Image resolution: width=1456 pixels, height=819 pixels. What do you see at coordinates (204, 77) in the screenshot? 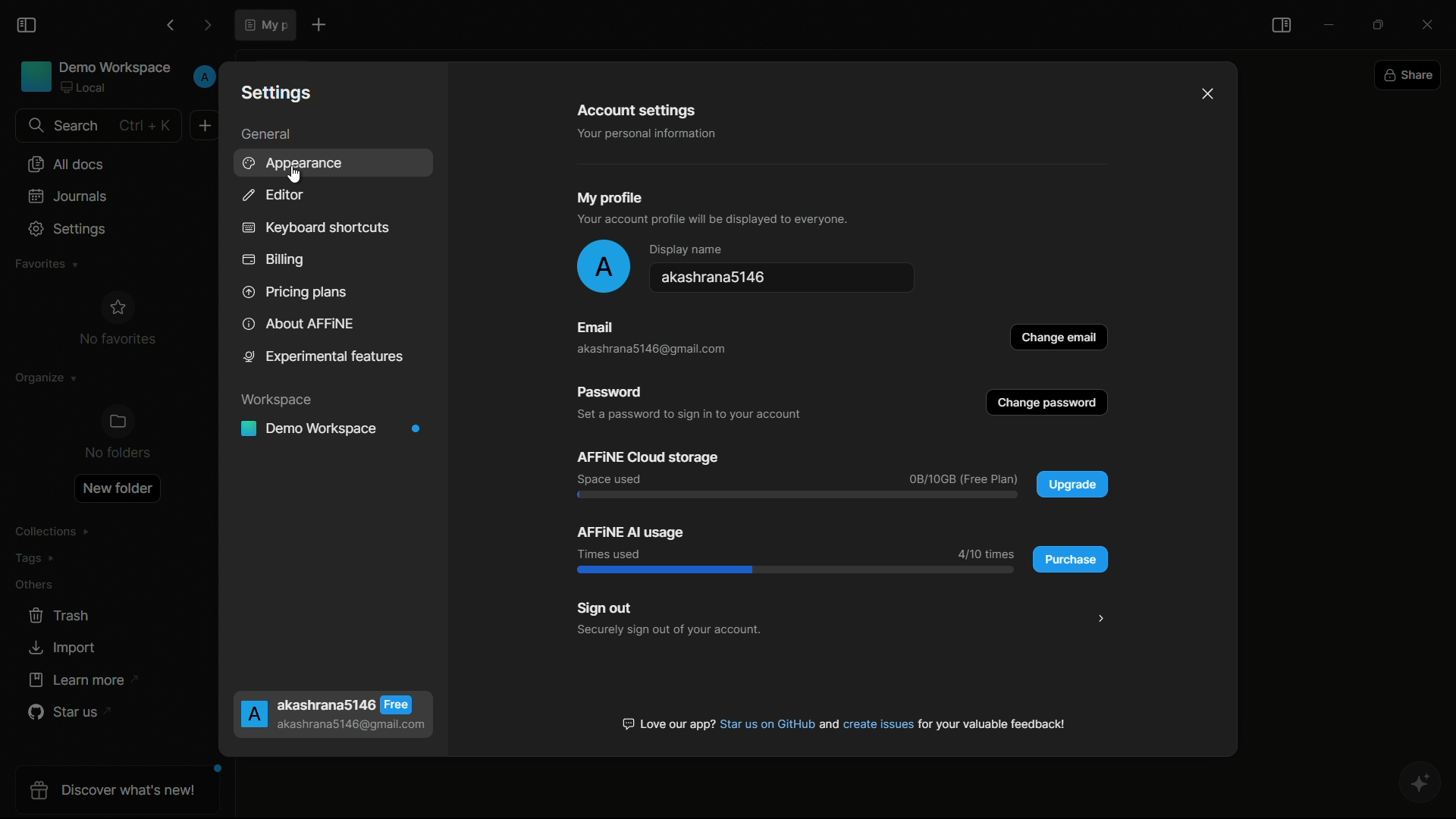
I see `profile` at bounding box center [204, 77].